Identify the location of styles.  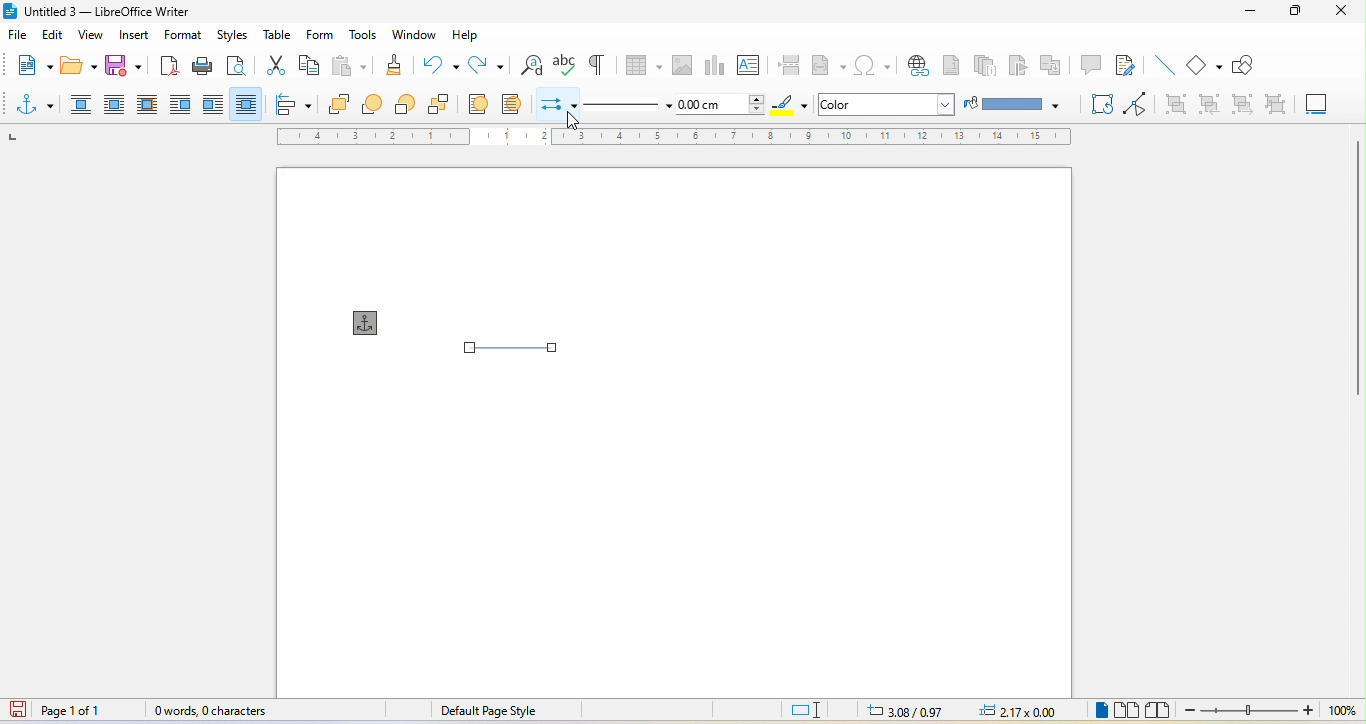
(231, 36).